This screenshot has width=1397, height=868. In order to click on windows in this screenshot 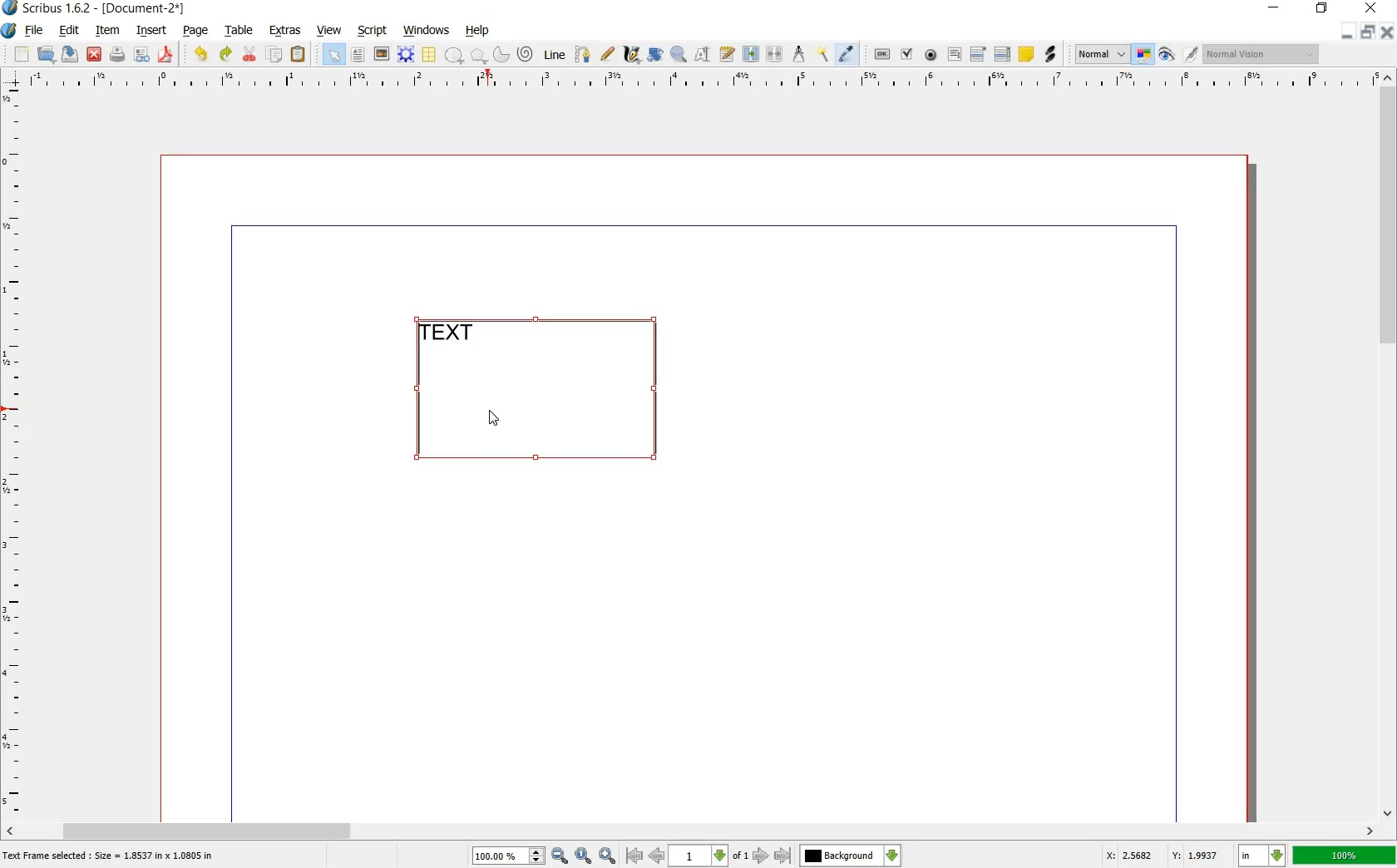, I will do `click(426, 31)`.